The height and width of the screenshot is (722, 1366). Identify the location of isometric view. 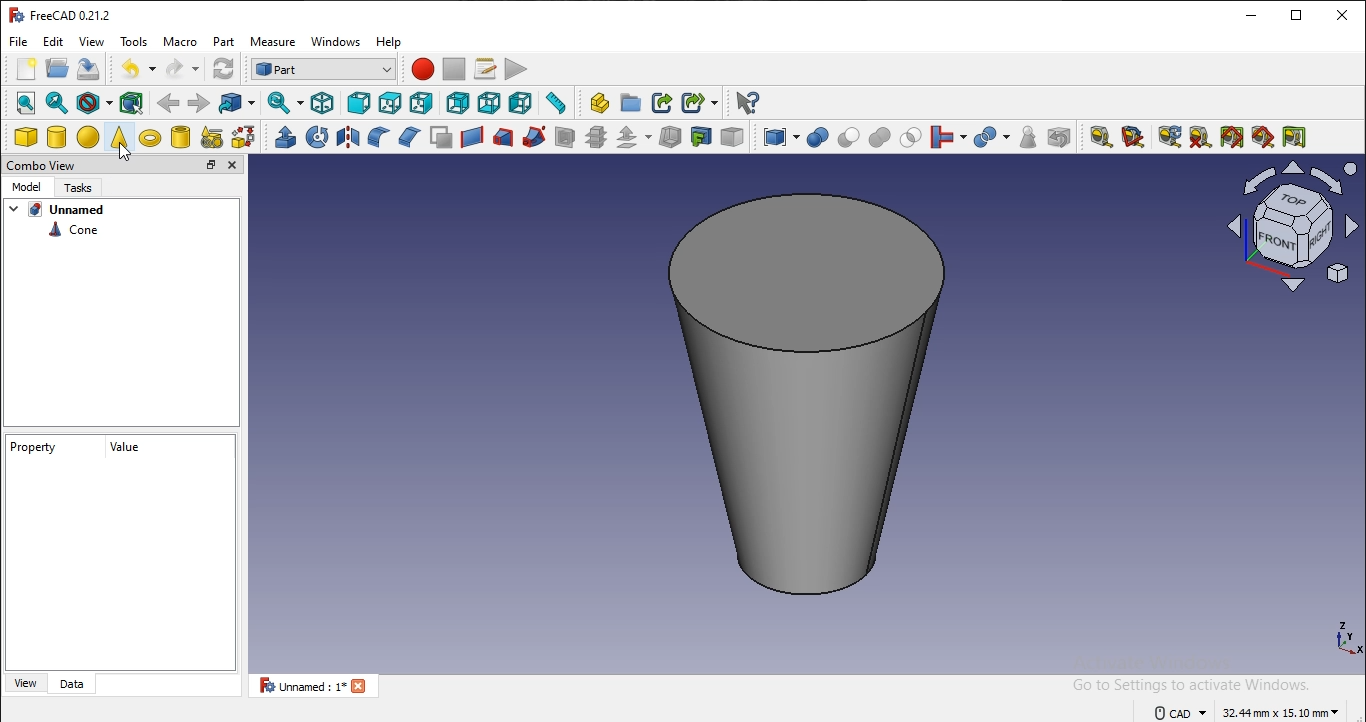
(322, 103).